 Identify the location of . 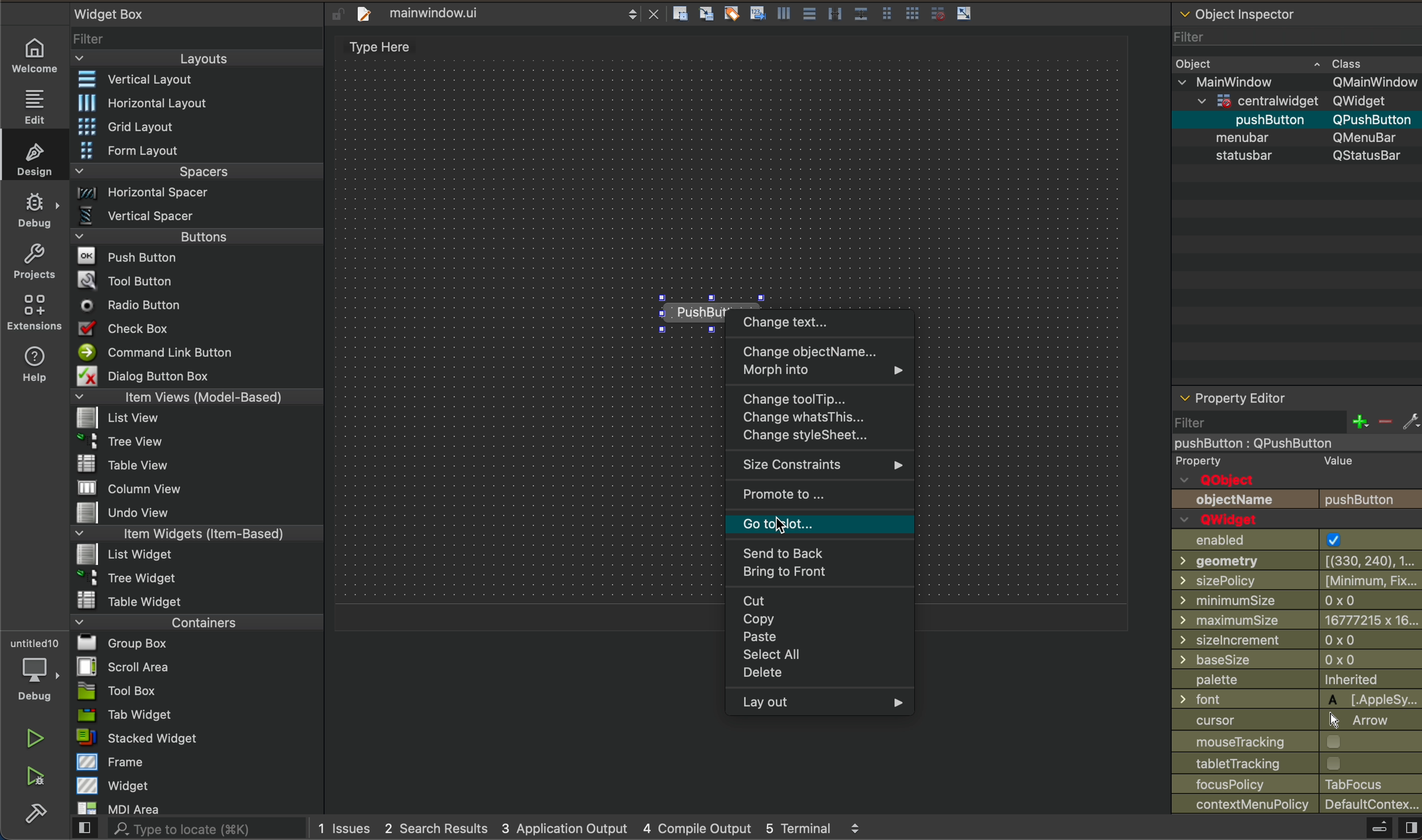
(1306, 139).